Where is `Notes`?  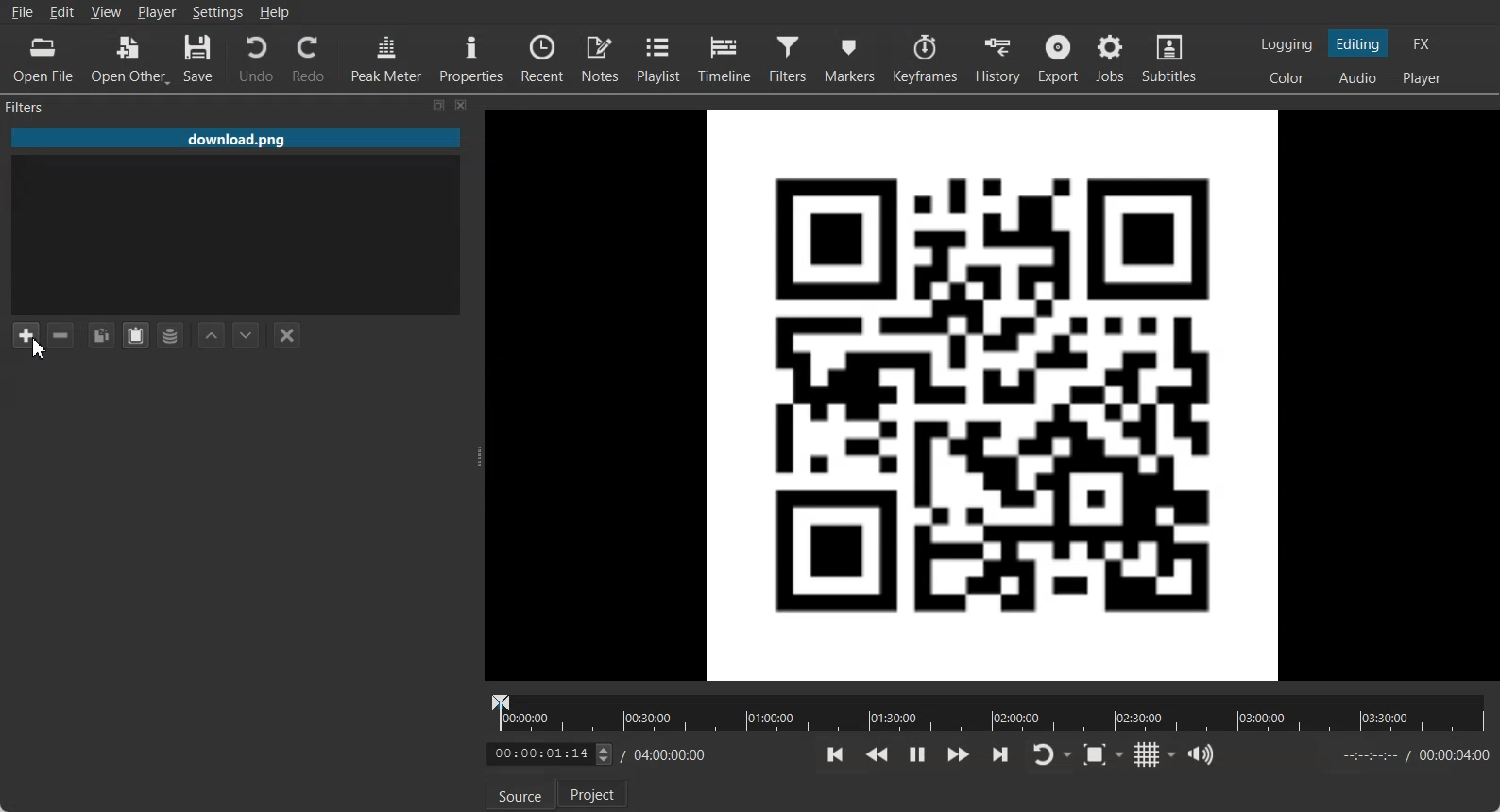 Notes is located at coordinates (602, 58).